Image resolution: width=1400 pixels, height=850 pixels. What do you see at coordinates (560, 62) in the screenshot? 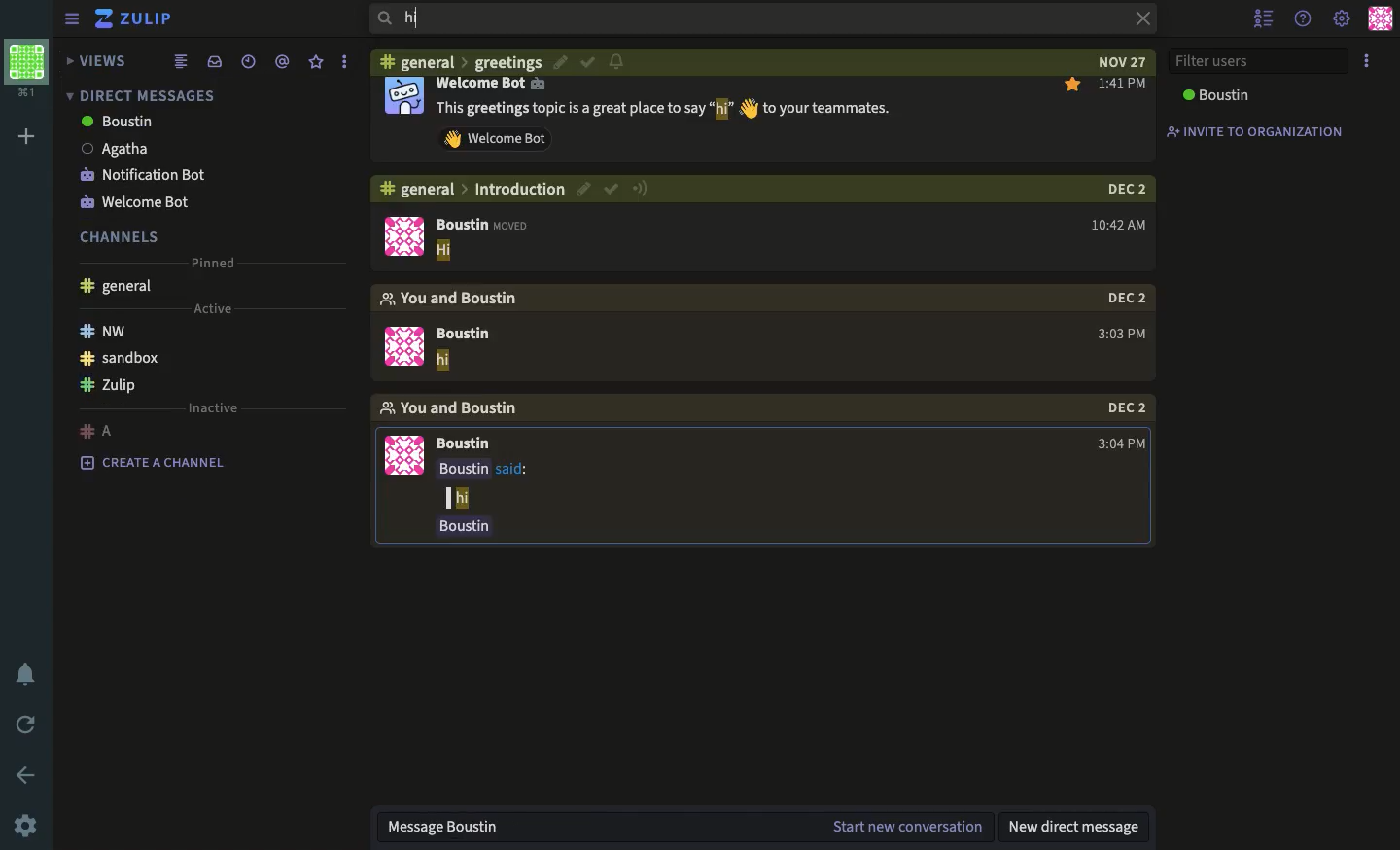
I see `edit` at bounding box center [560, 62].